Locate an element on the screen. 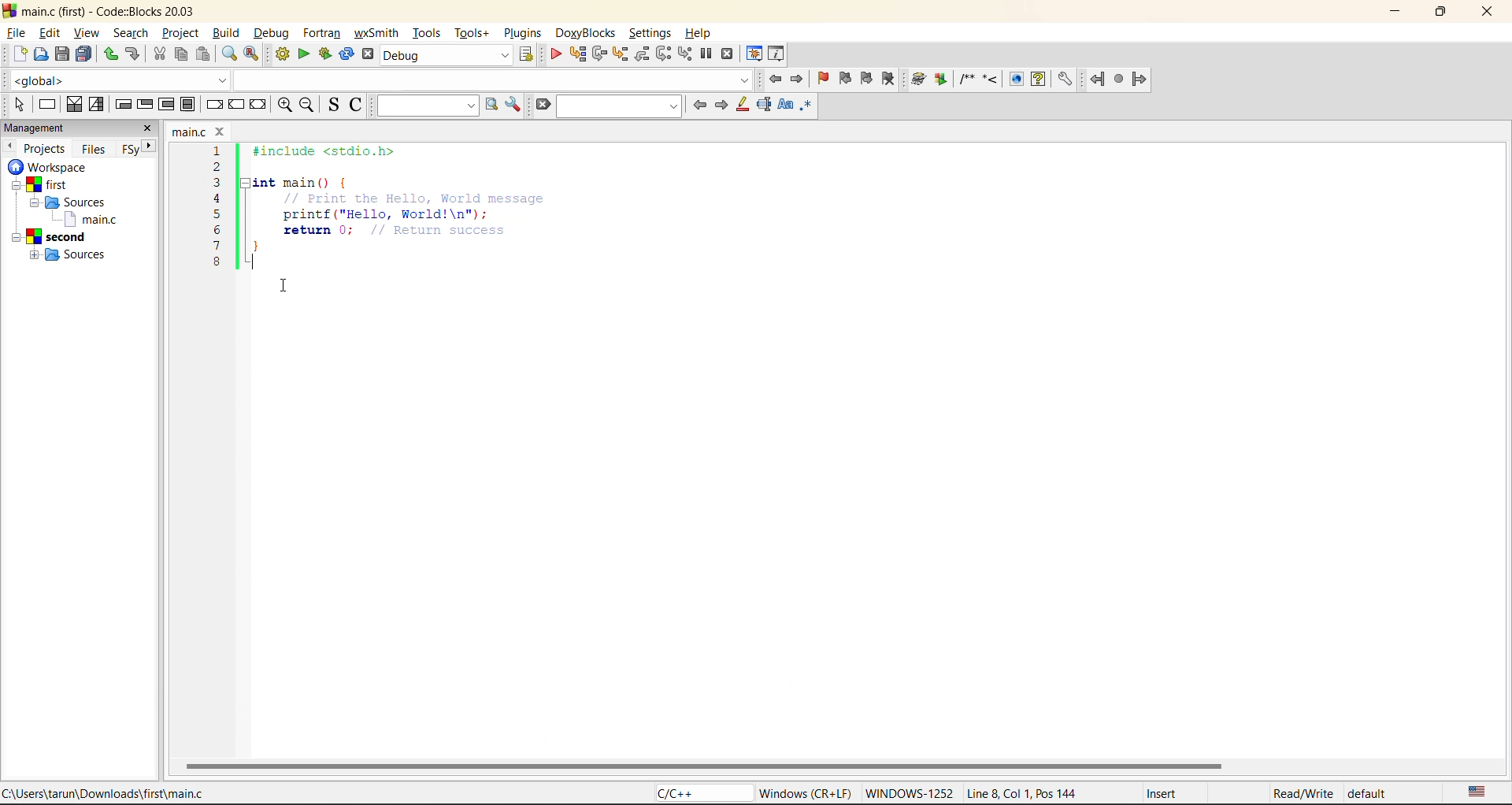  find is located at coordinates (228, 54).